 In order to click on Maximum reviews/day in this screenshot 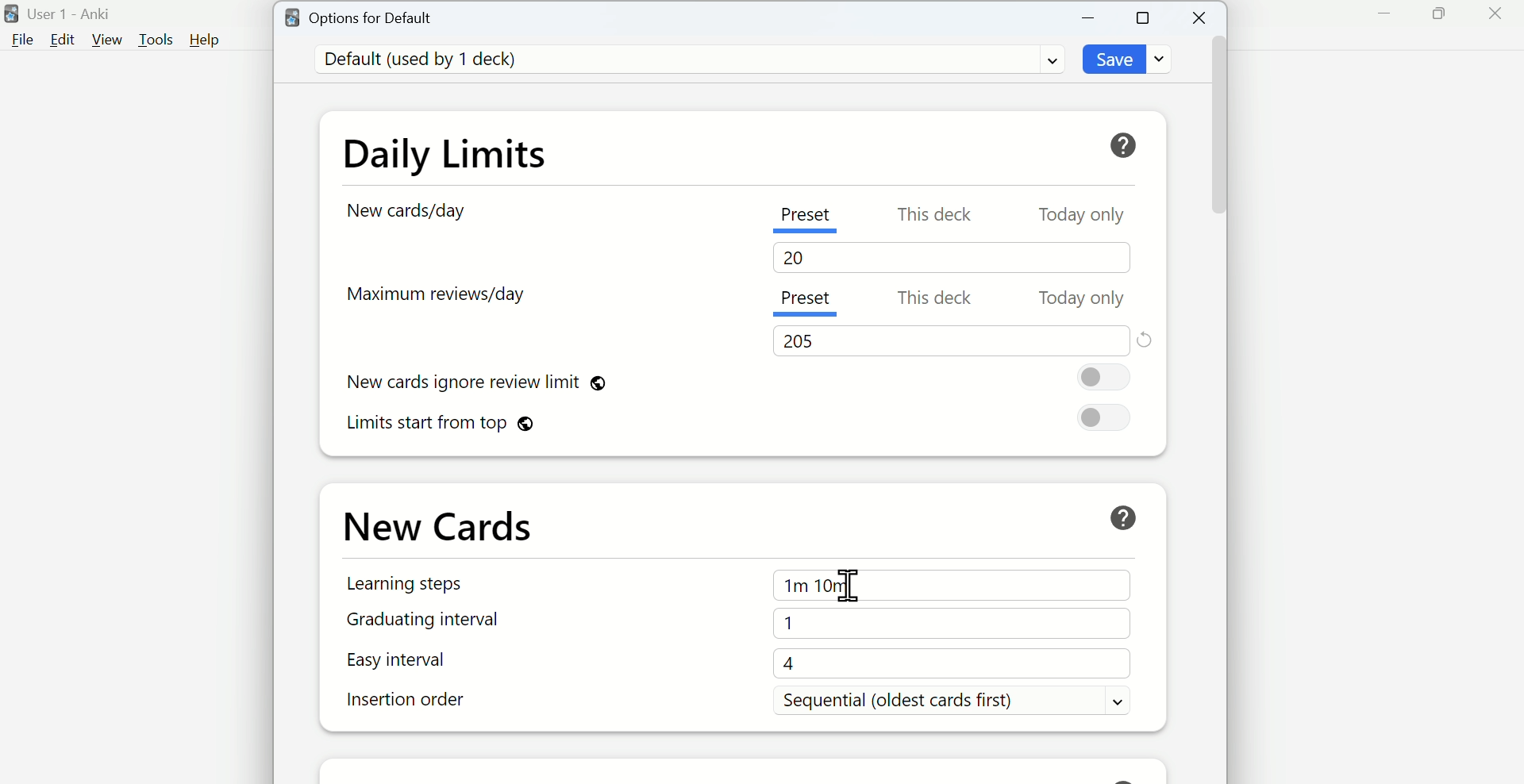, I will do `click(445, 300)`.